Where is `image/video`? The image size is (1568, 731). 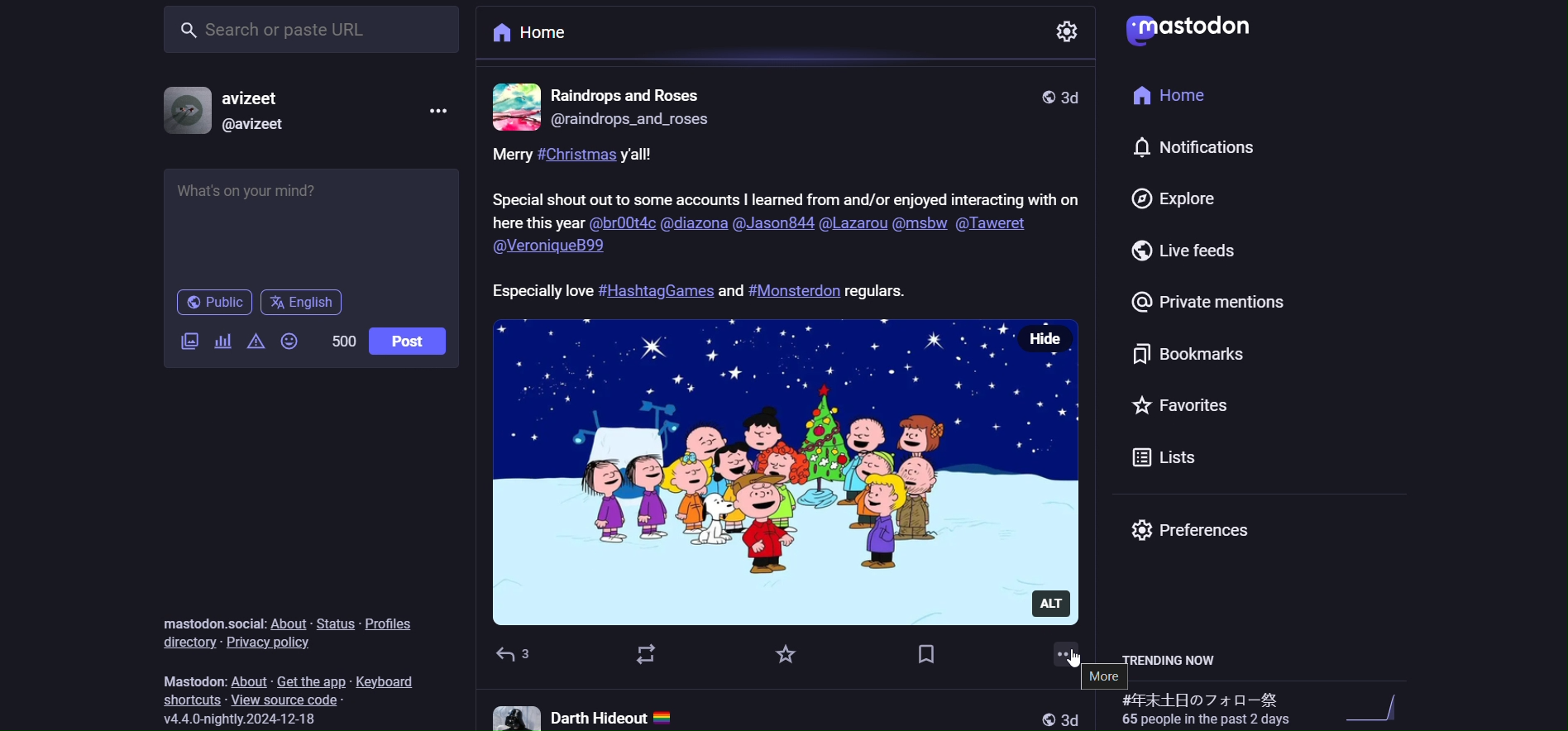 image/video is located at coordinates (189, 341).